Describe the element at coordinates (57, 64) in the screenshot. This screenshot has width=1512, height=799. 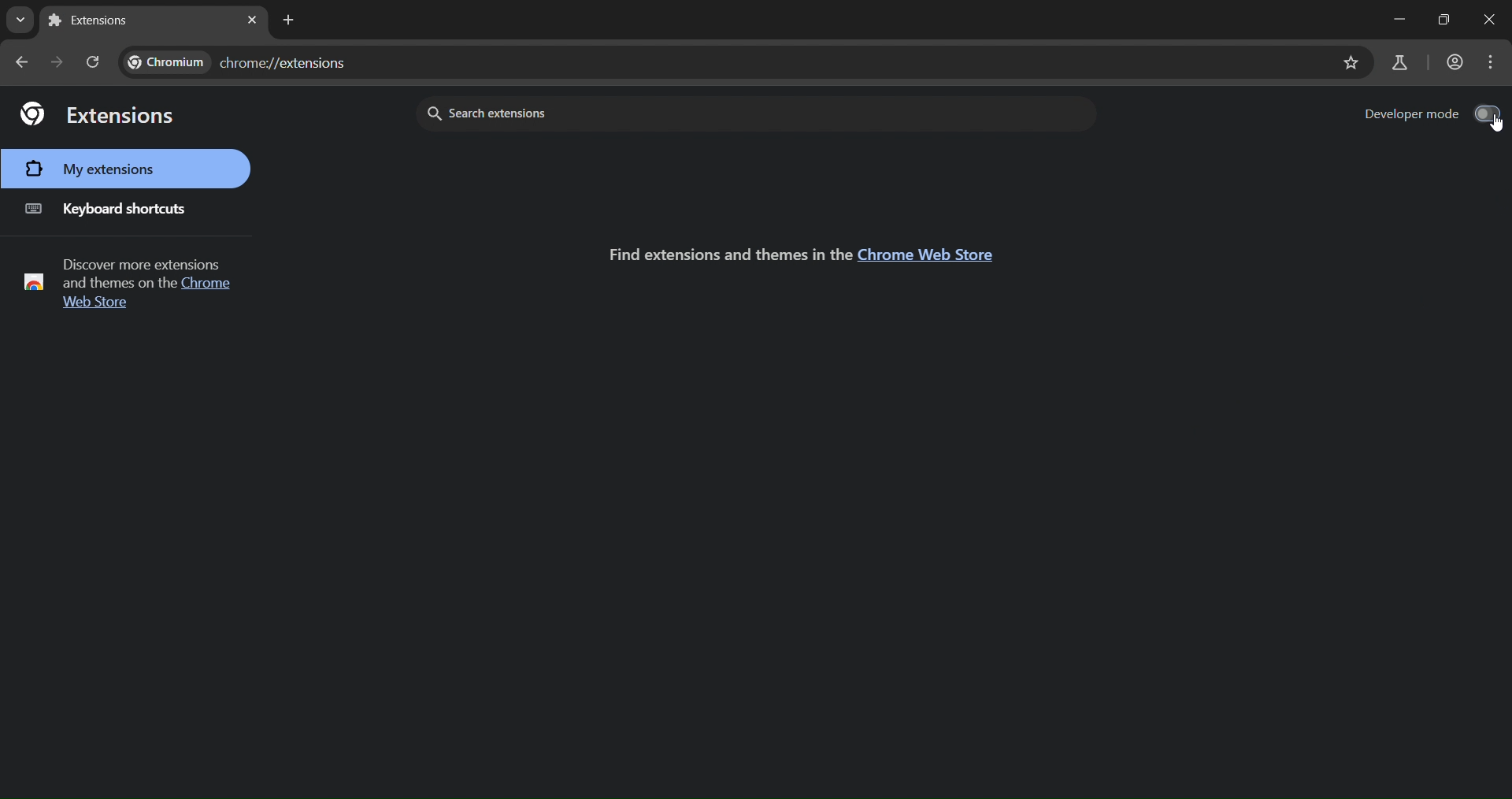
I see `go forward one page` at that location.